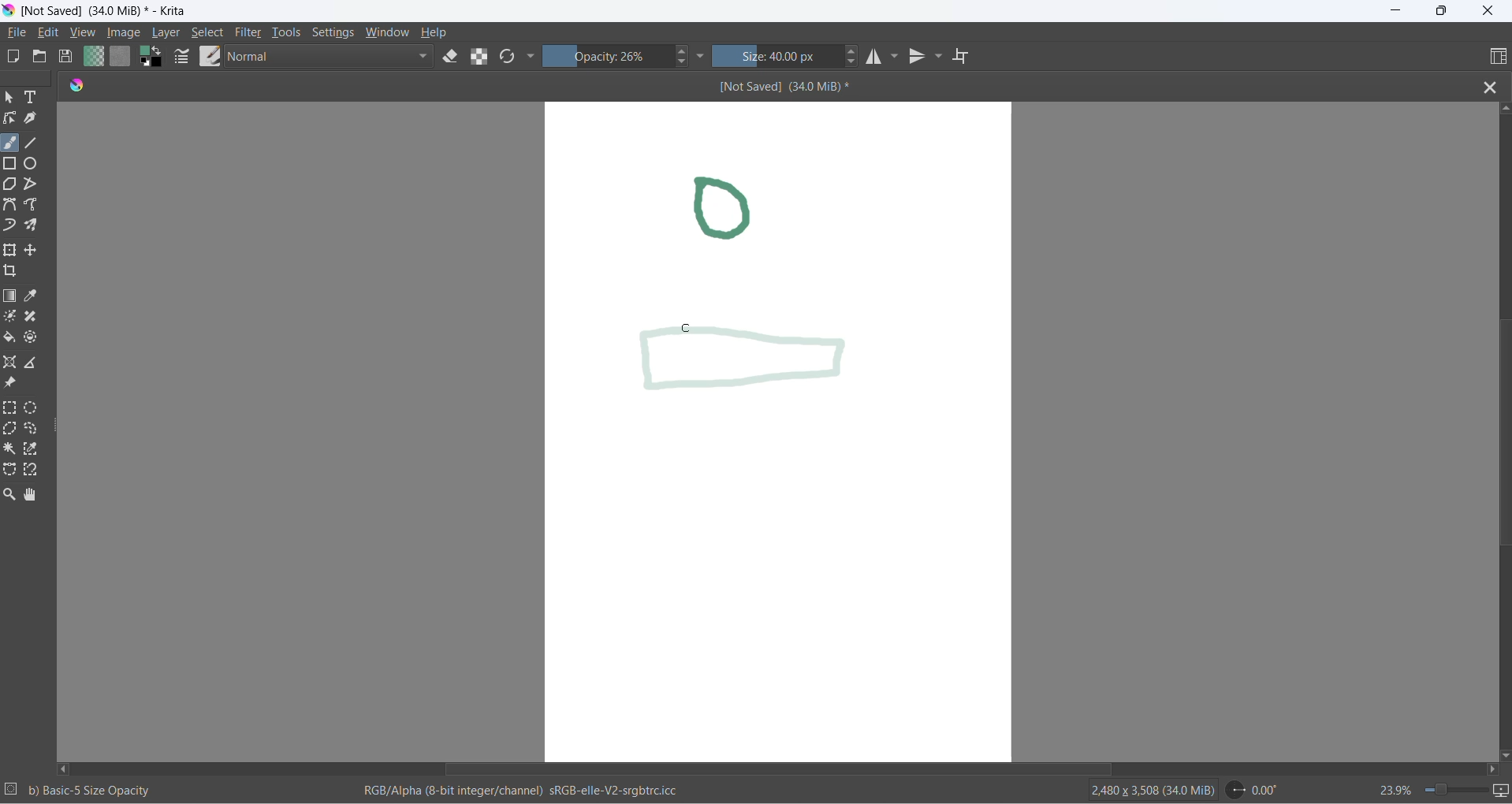 The height and width of the screenshot is (804, 1512). What do you see at coordinates (1453, 791) in the screenshot?
I see `zoom slider` at bounding box center [1453, 791].